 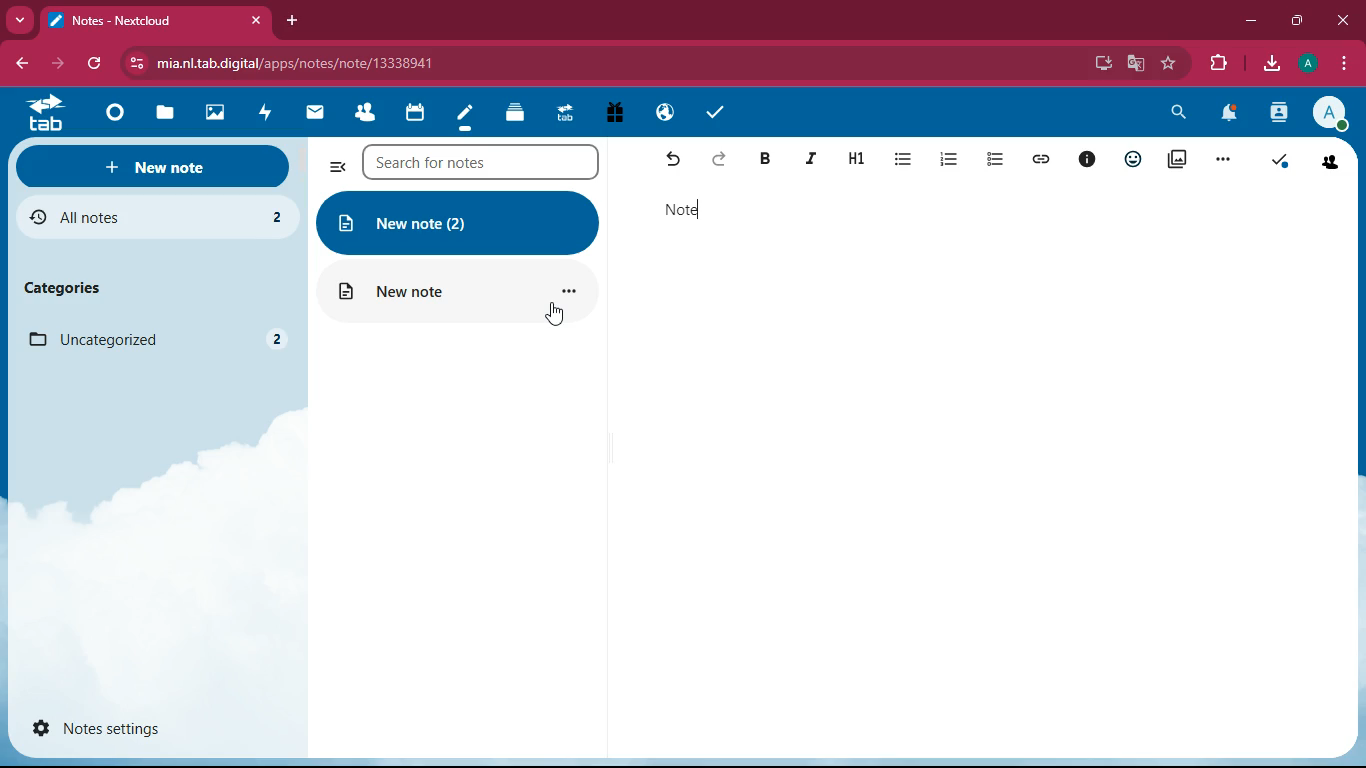 What do you see at coordinates (43, 114) in the screenshot?
I see `tab` at bounding box center [43, 114].